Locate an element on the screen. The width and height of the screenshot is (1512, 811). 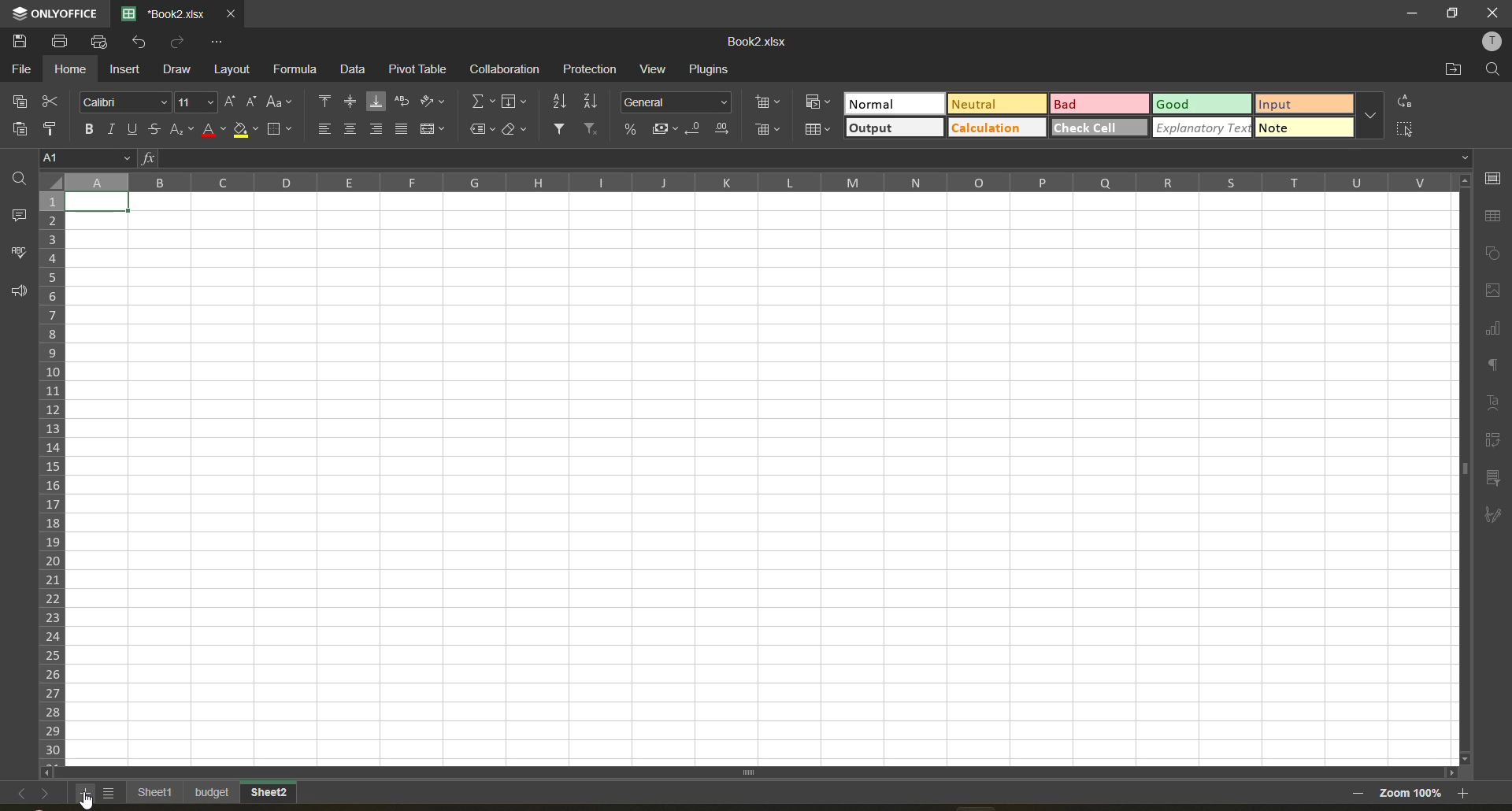
percent is located at coordinates (630, 131).